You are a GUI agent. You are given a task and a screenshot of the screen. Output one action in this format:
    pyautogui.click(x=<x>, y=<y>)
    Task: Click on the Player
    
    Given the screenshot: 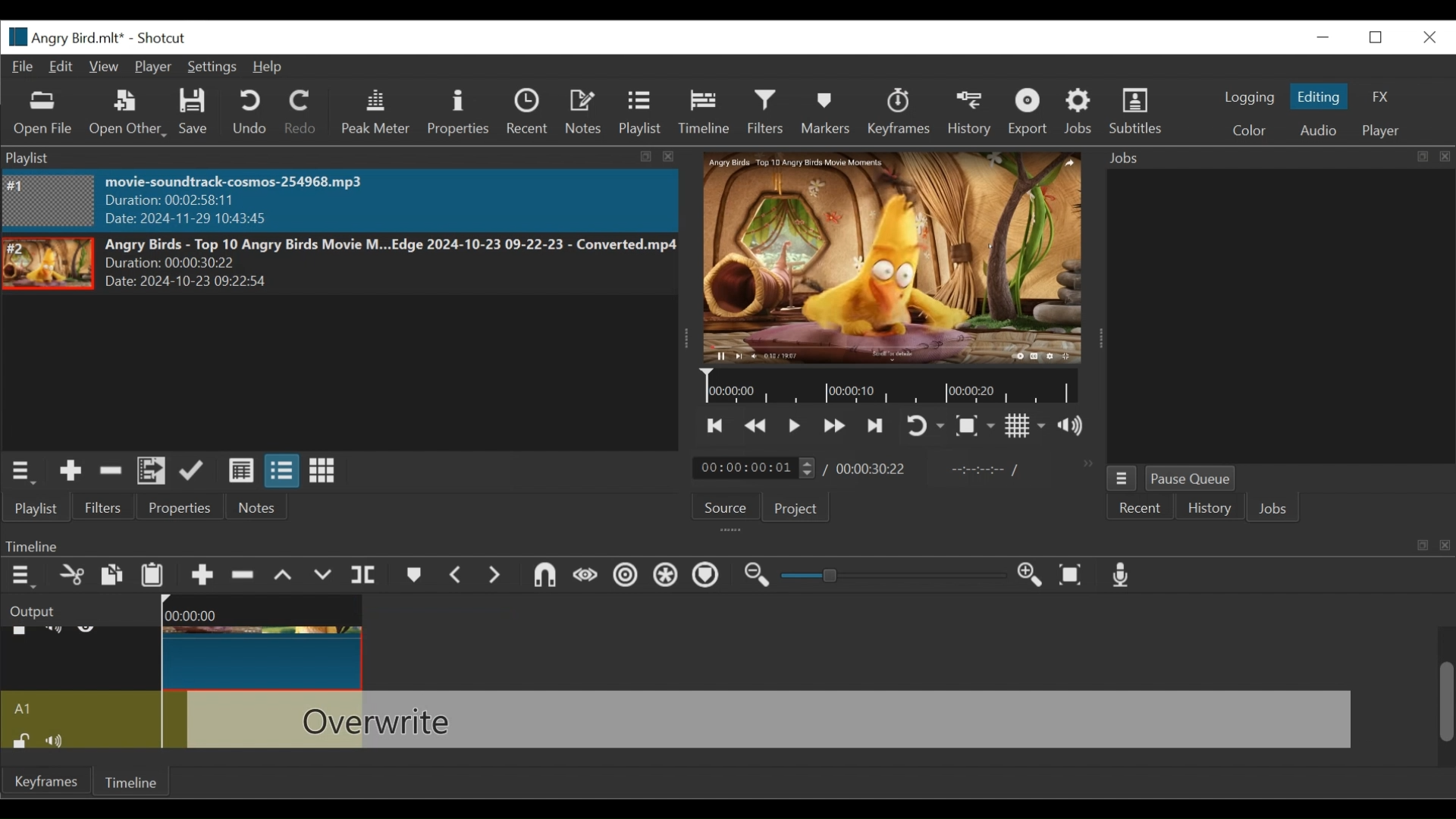 What is the action you would take?
    pyautogui.click(x=1382, y=132)
    